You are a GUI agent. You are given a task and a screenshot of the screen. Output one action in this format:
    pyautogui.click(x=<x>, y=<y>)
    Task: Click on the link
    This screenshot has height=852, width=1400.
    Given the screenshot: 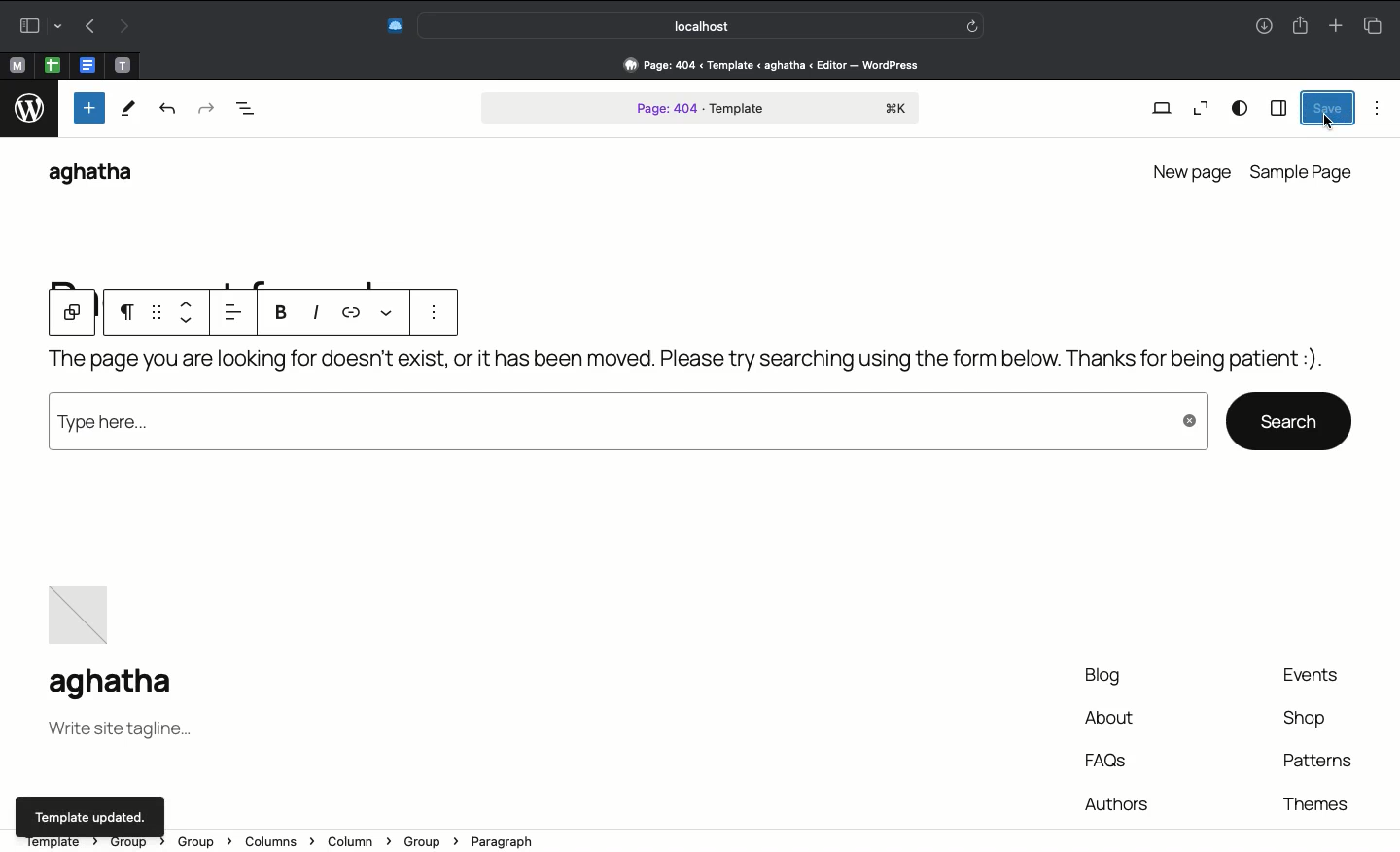 What is the action you would take?
    pyautogui.click(x=352, y=313)
    